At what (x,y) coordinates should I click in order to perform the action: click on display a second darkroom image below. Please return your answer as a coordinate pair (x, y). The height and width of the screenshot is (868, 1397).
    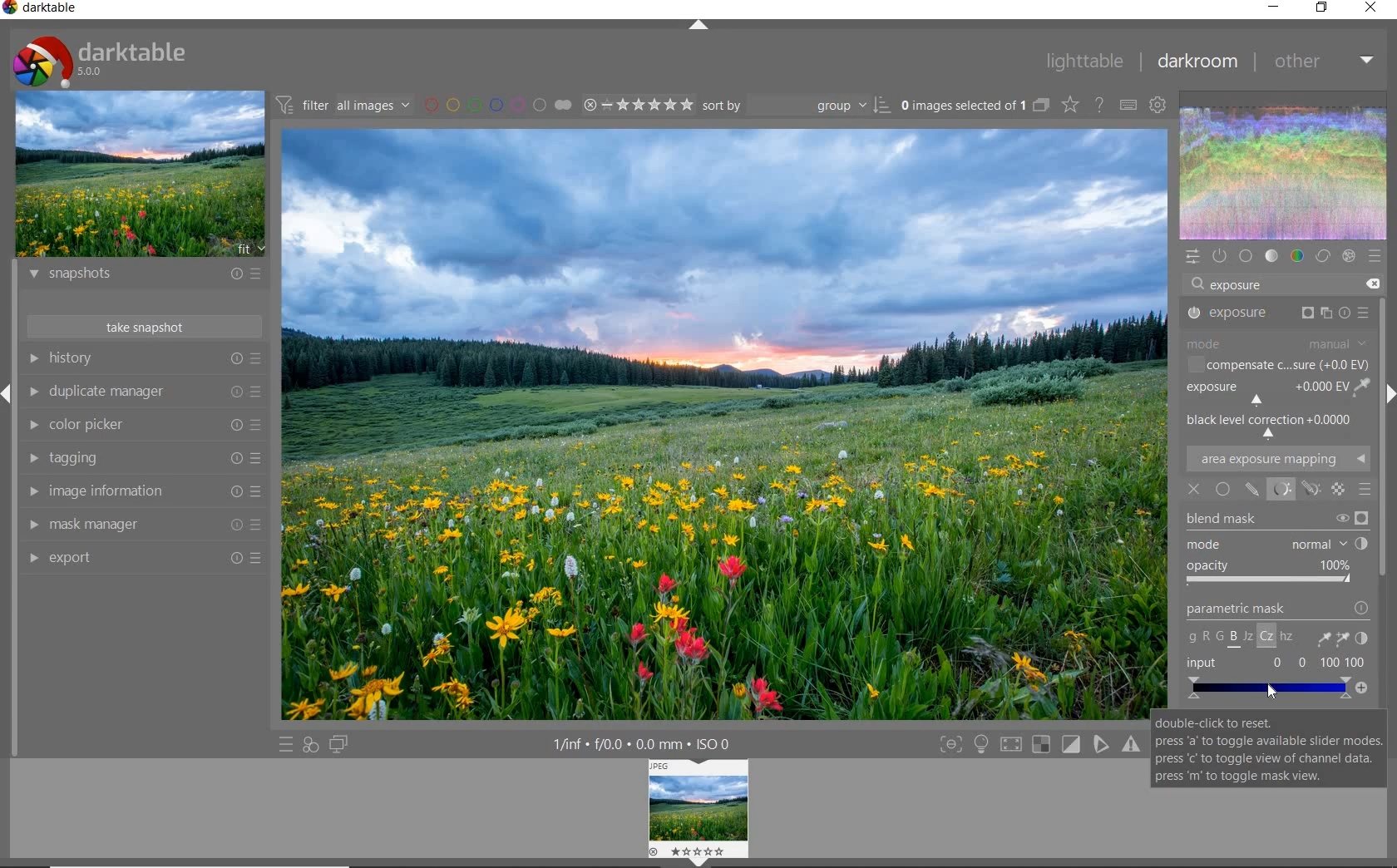
    Looking at the image, I should click on (342, 744).